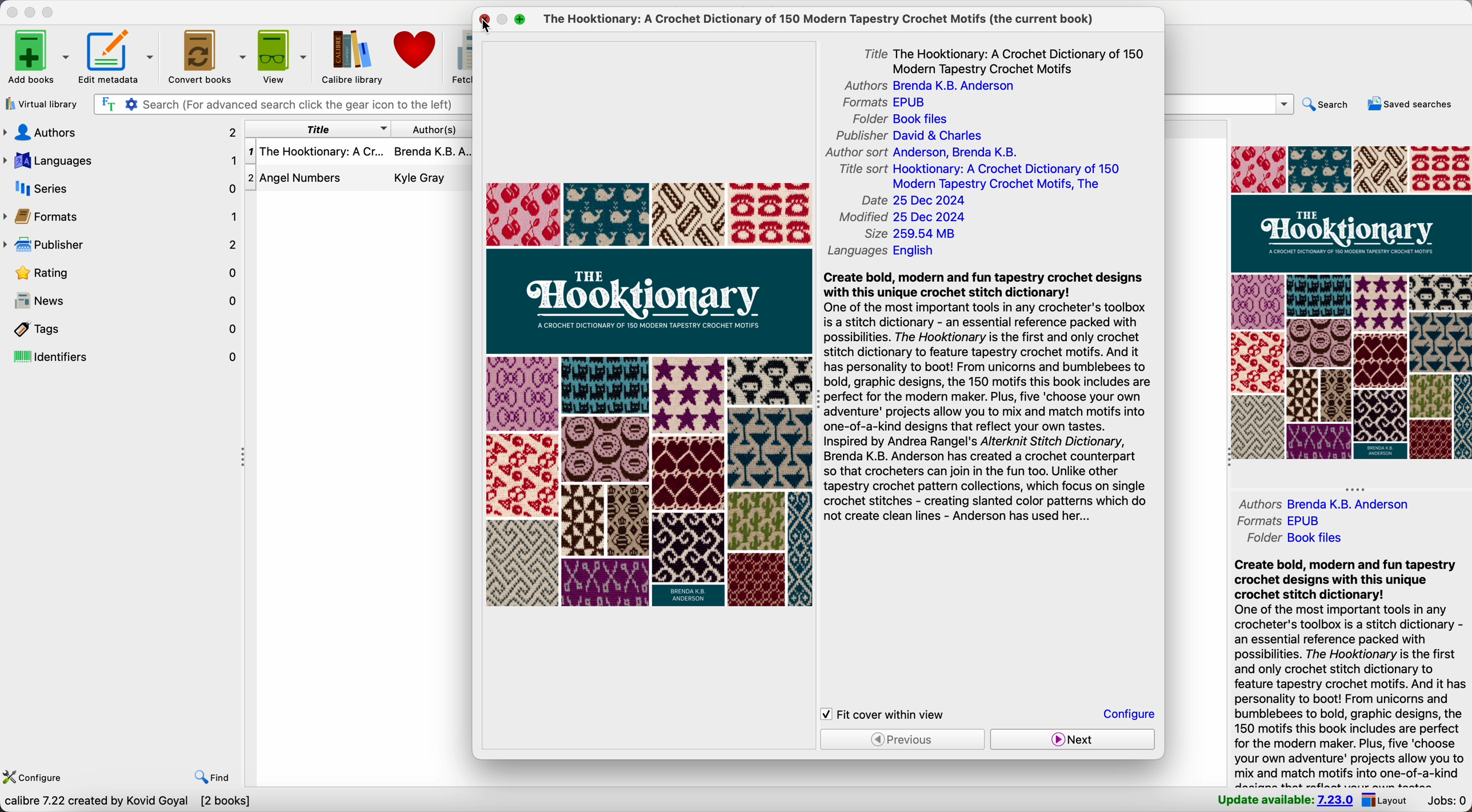 This screenshot has height=812, width=1472. I want to click on fit cover within view, so click(883, 714).